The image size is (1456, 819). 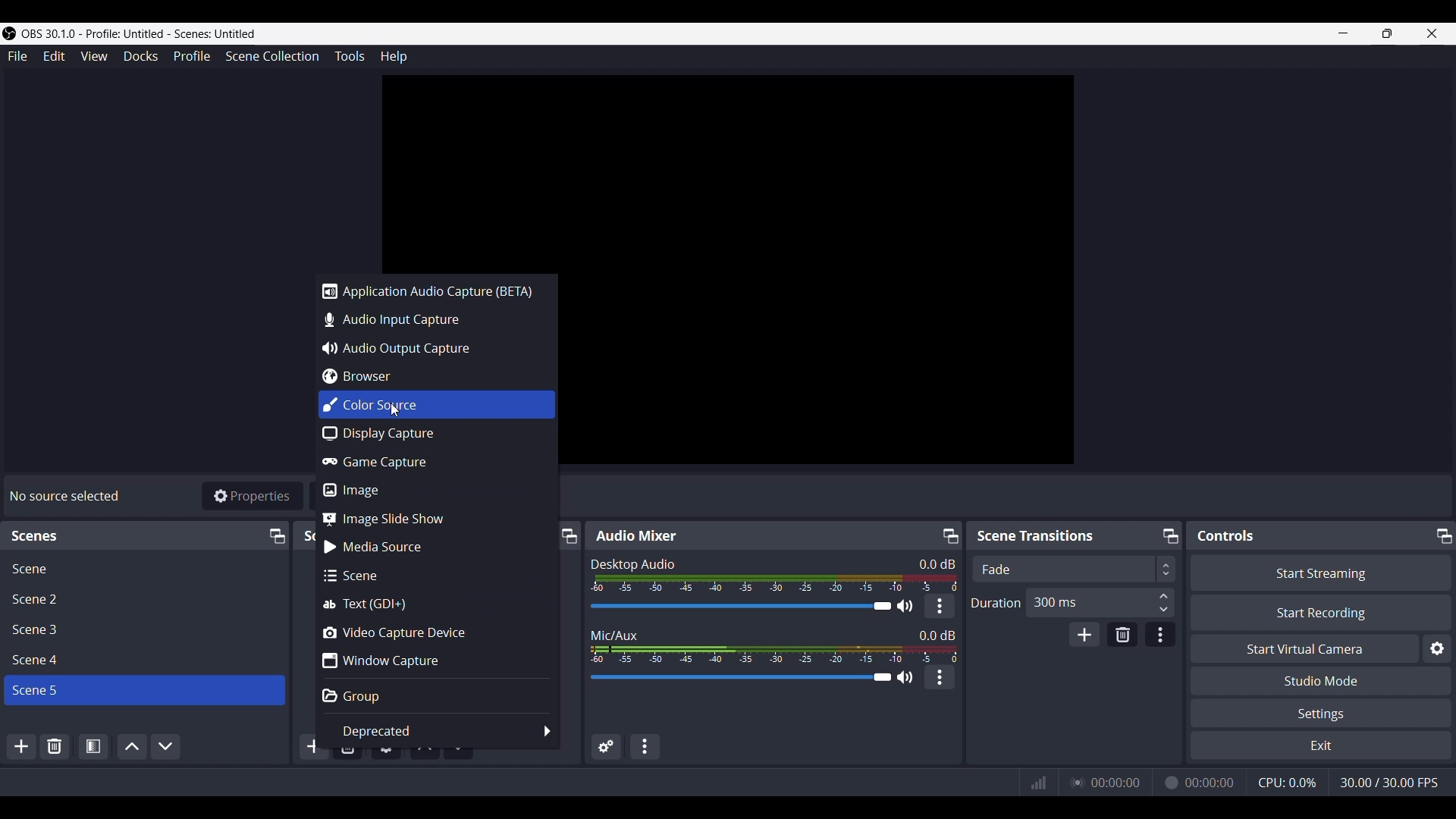 What do you see at coordinates (936, 634) in the screenshot?
I see `0.0 dB` at bounding box center [936, 634].